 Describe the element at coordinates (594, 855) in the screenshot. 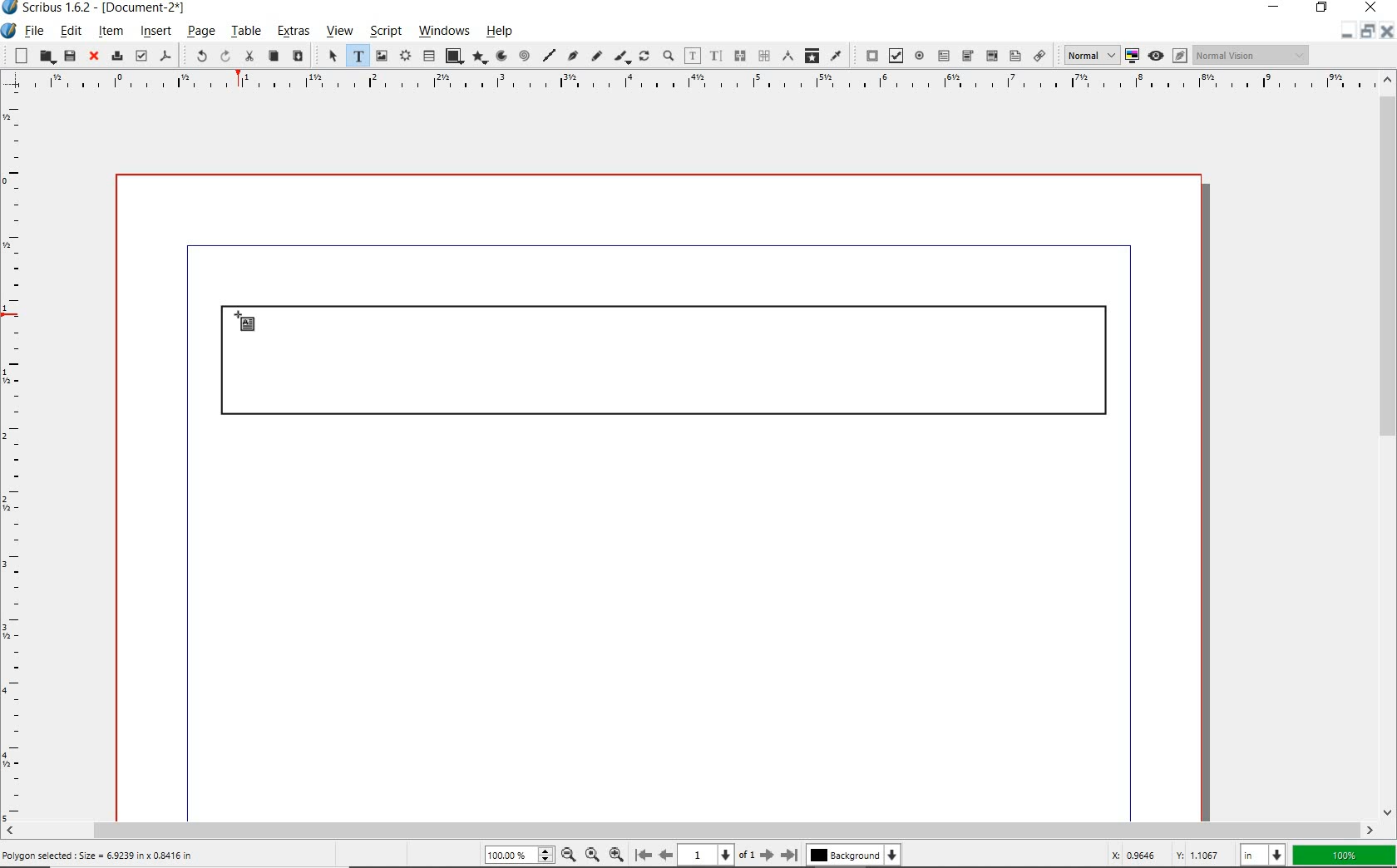

I see `zoom to` at that location.